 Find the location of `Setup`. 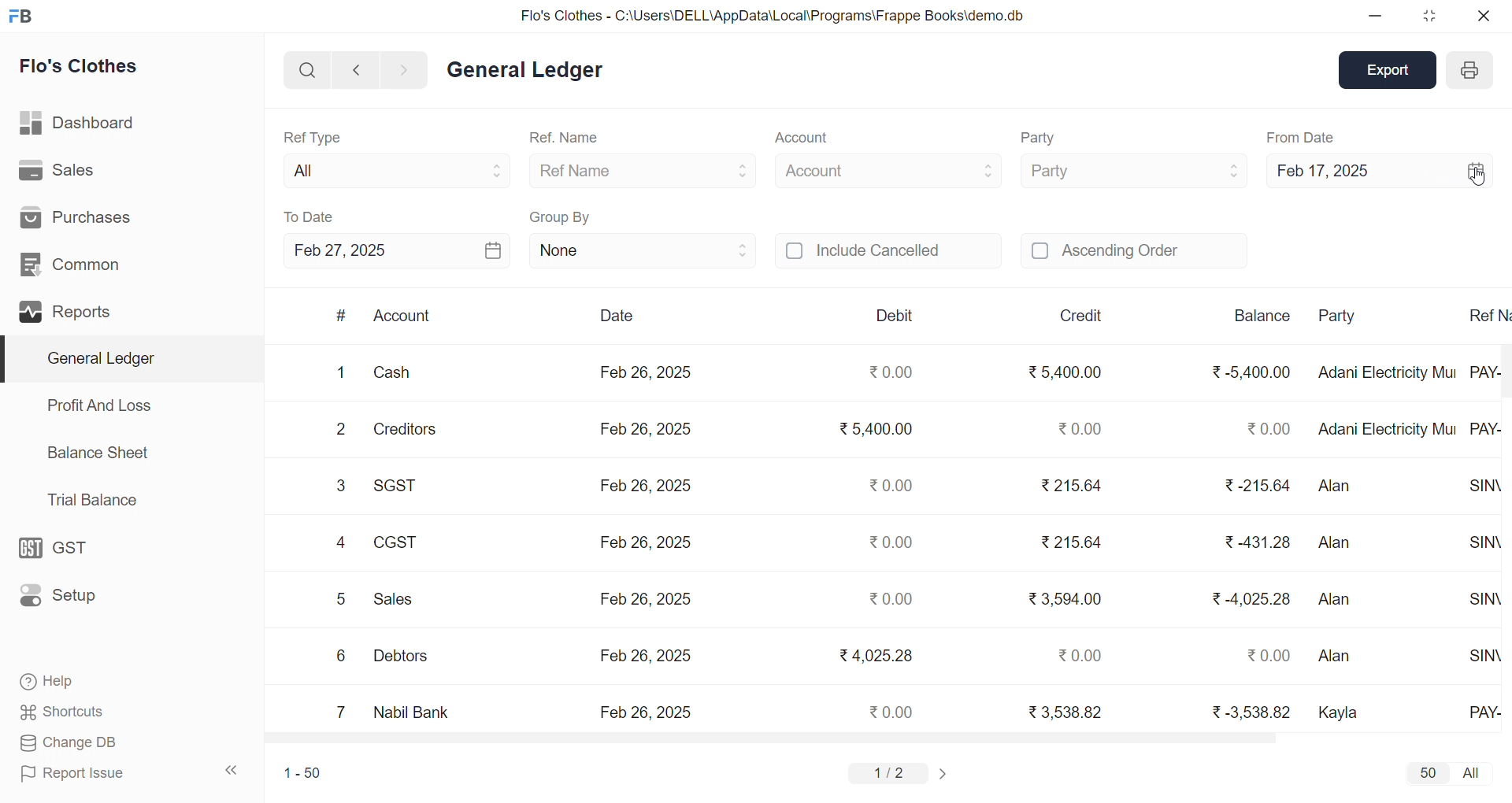

Setup is located at coordinates (62, 596).